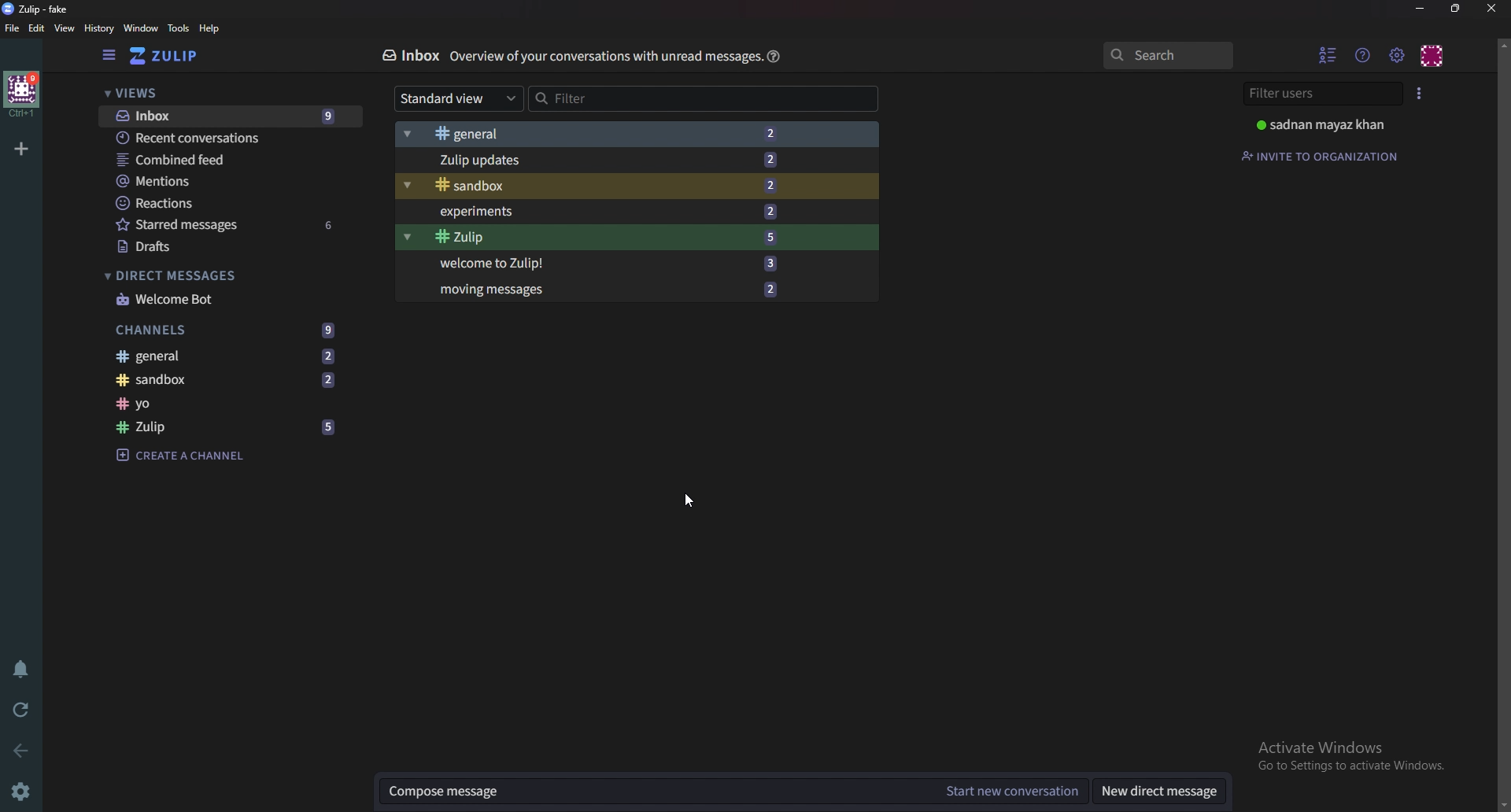  I want to click on help, so click(211, 28).